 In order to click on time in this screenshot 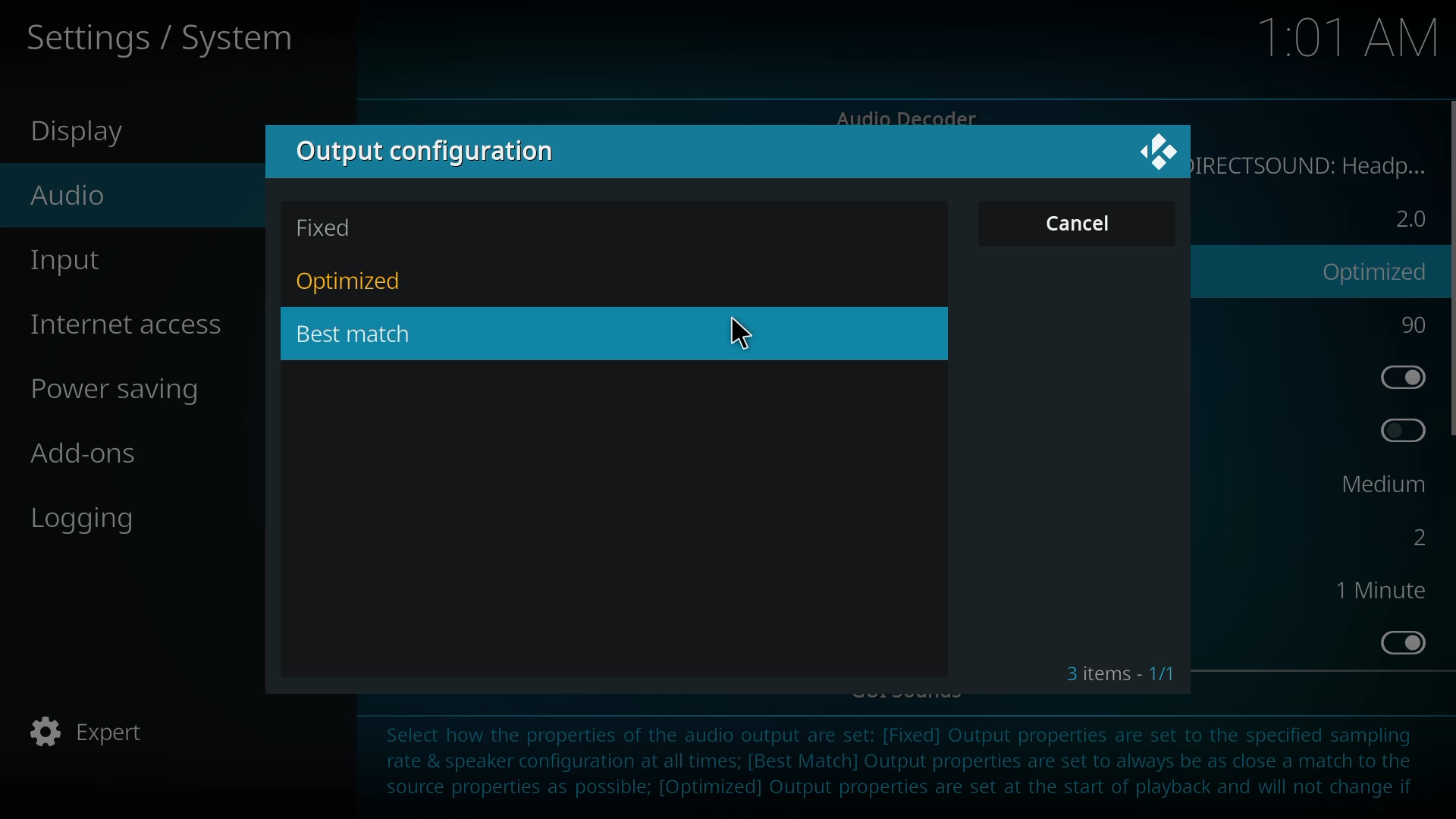, I will do `click(1341, 40)`.